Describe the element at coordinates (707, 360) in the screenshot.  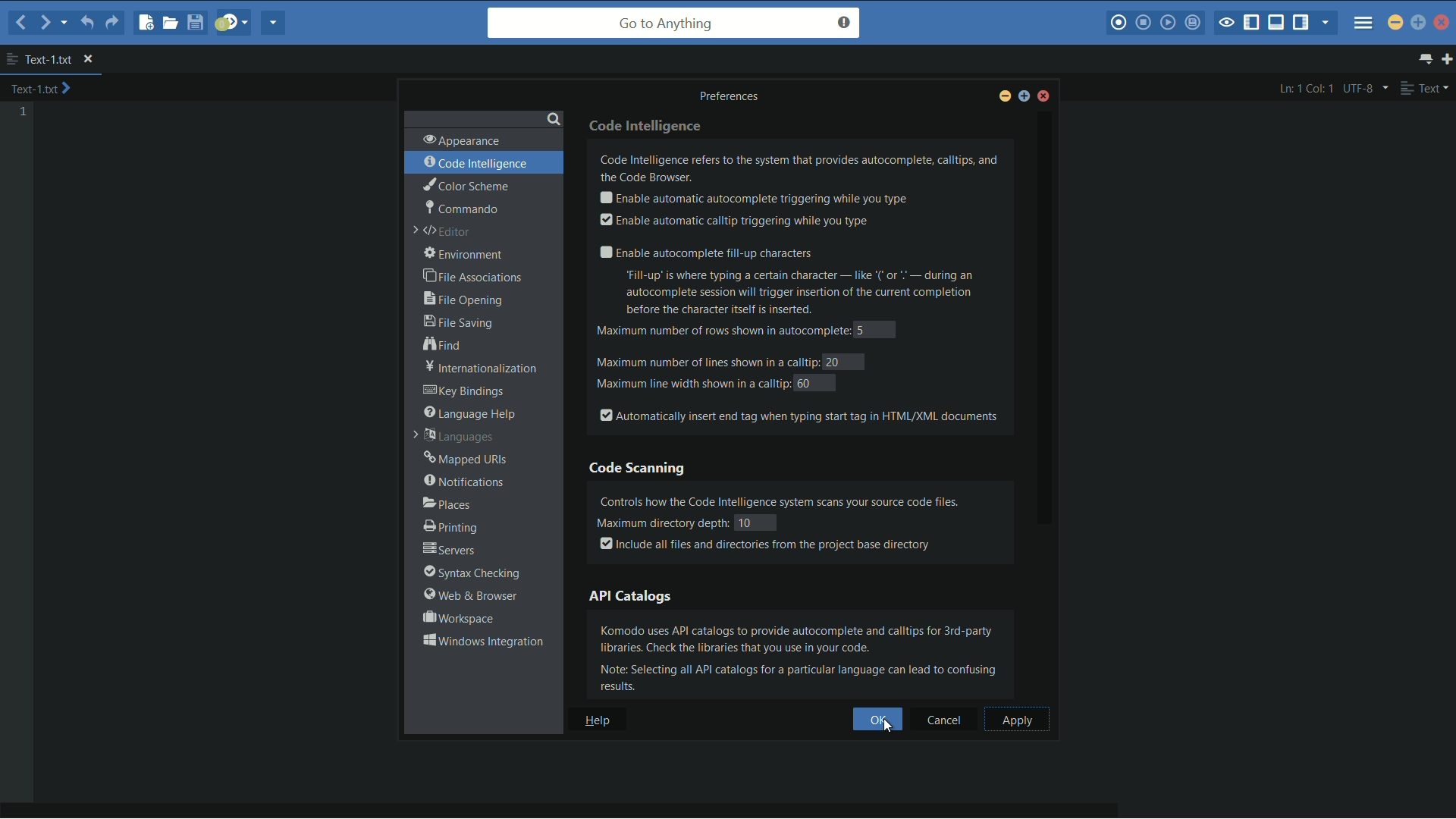
I see `maximum number of lines shown in a calltip:` at that location.